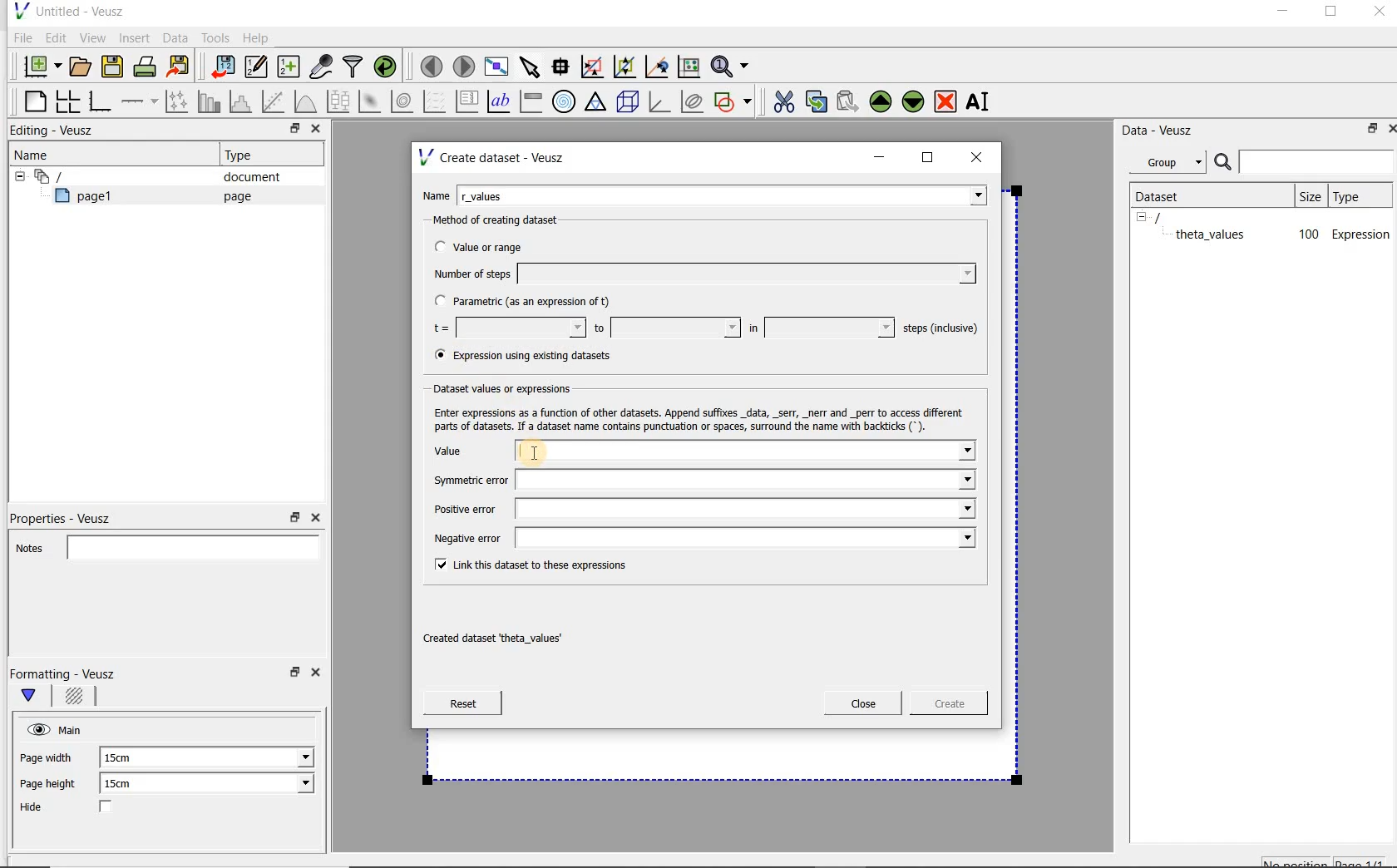 This screenshot has width=1397, height=868. What do you see at coordinates (338, 102) in the screenshot?
I see `plot box plots` at bounding box center [338, 102].